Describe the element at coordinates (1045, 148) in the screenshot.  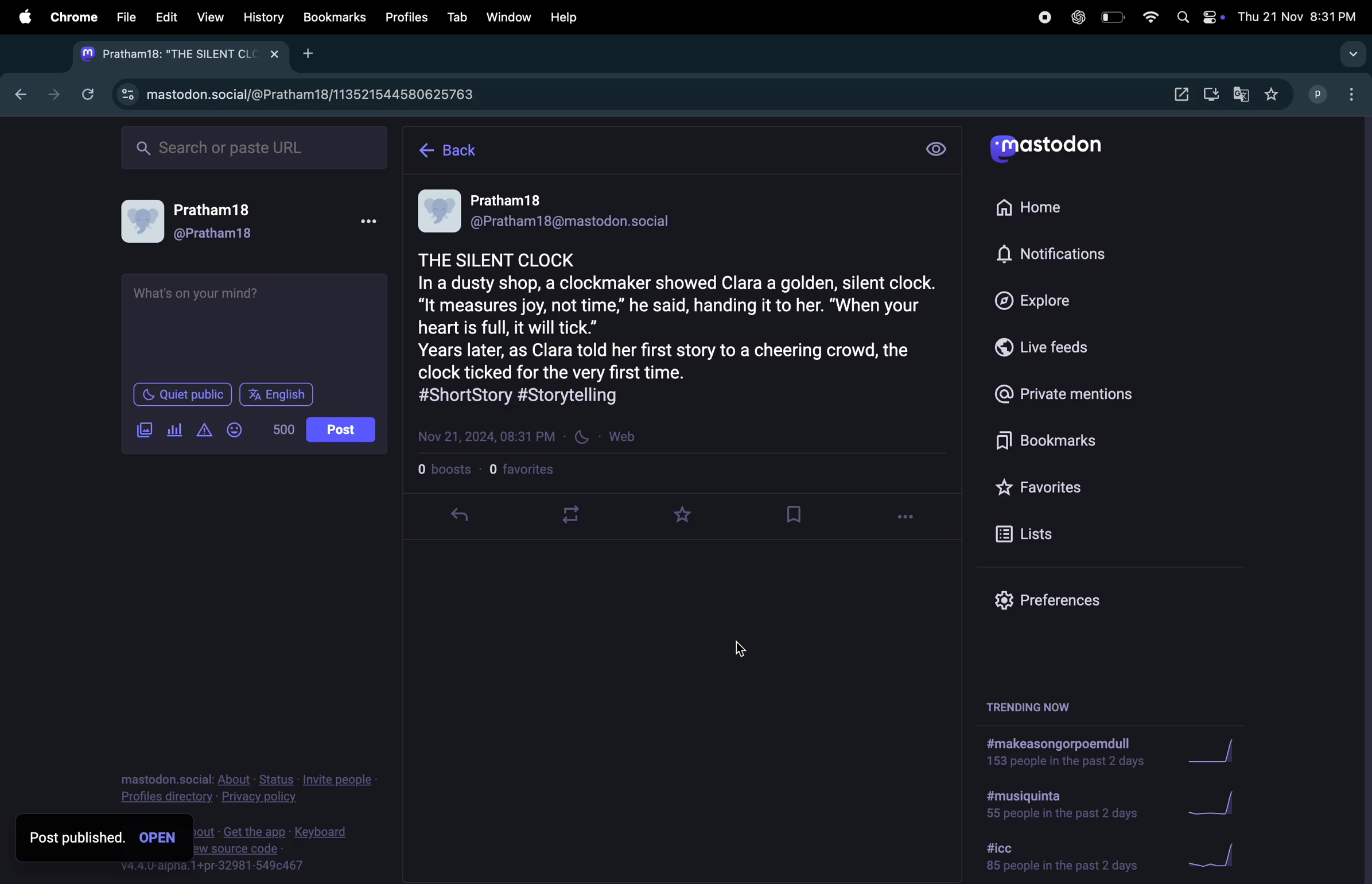
I see `mastadon` at that location.